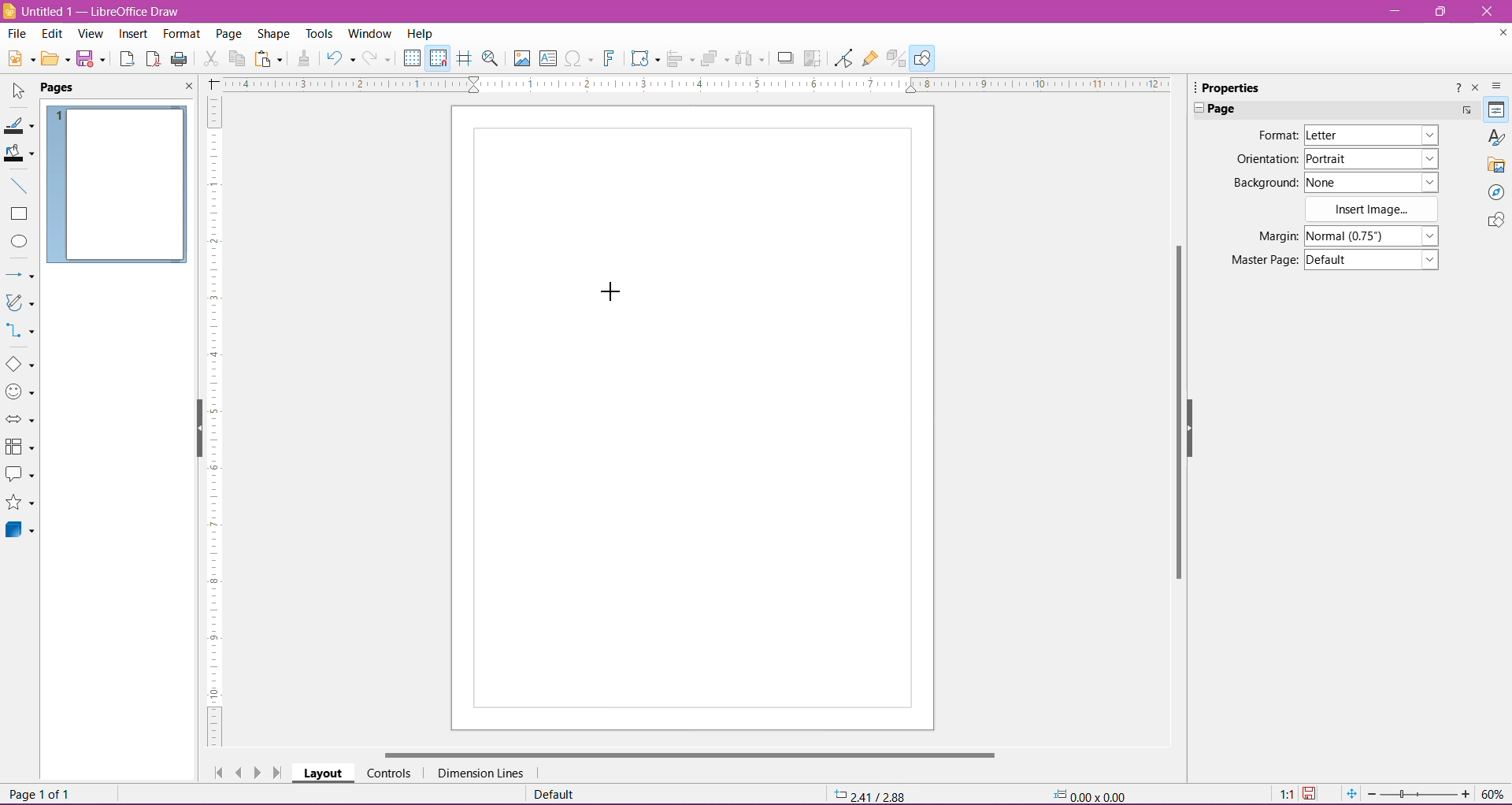 This screenshot has height=805, width=1512. What do you see at coordinates (54, 60) in the screenshot?
I see `Open` at bounding box center [54, 60].